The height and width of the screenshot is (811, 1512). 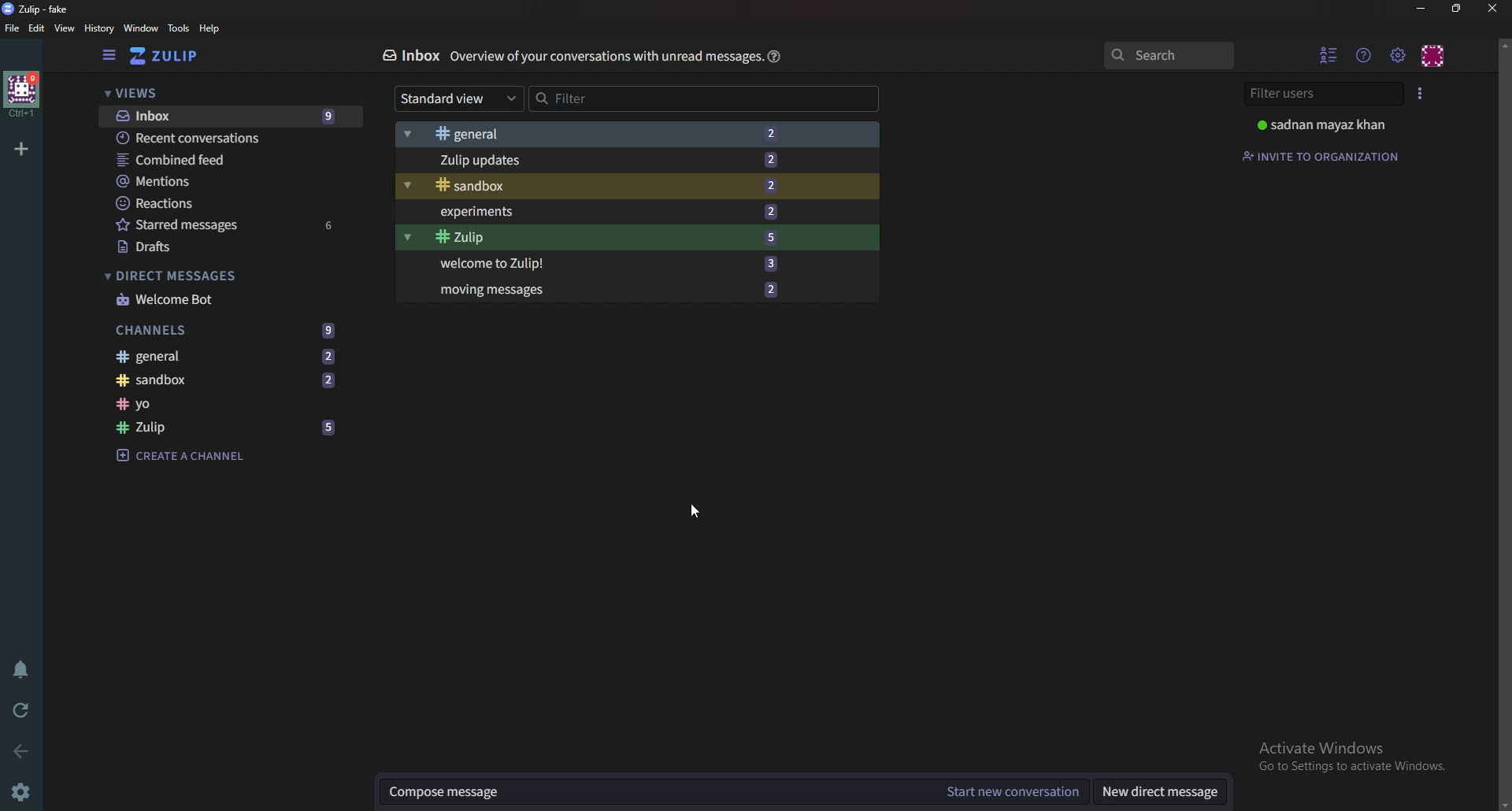 I want to click on close, so click(x=1493, y=9).